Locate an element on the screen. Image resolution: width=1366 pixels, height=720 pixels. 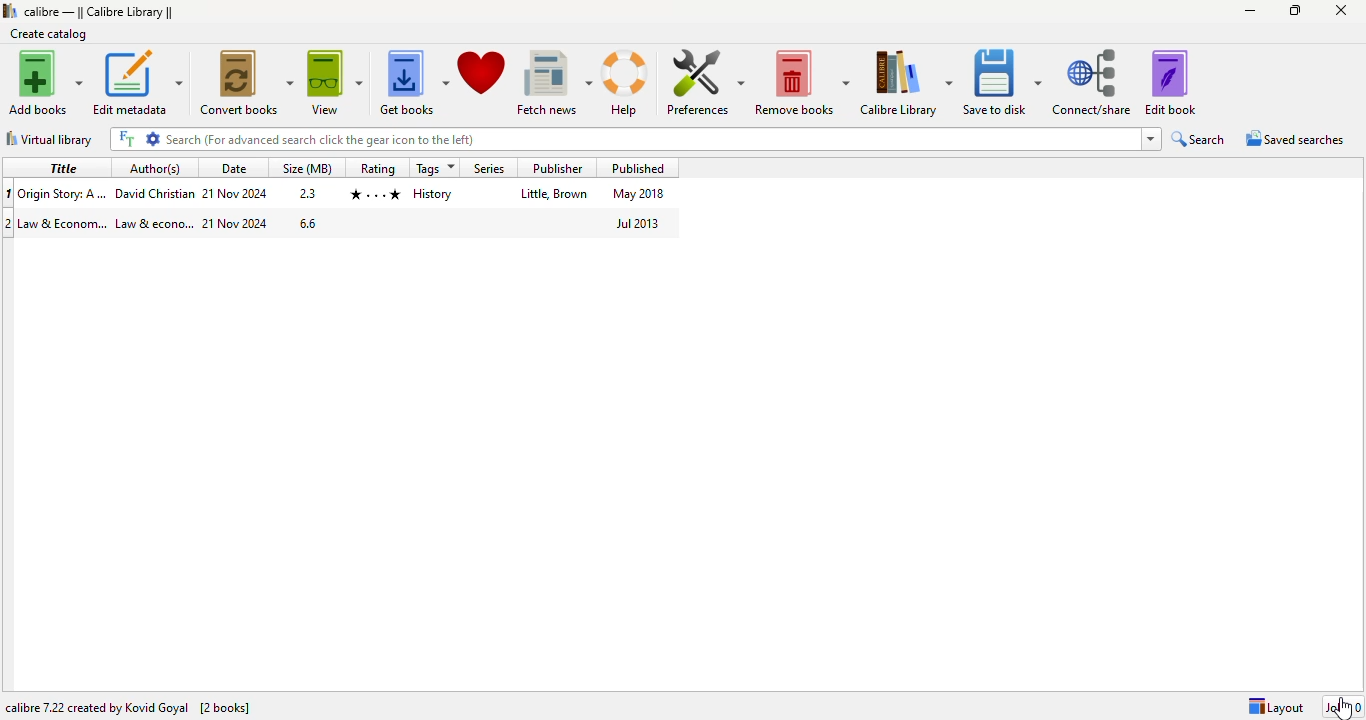
save to disk is located at coordinates (1004, 83).